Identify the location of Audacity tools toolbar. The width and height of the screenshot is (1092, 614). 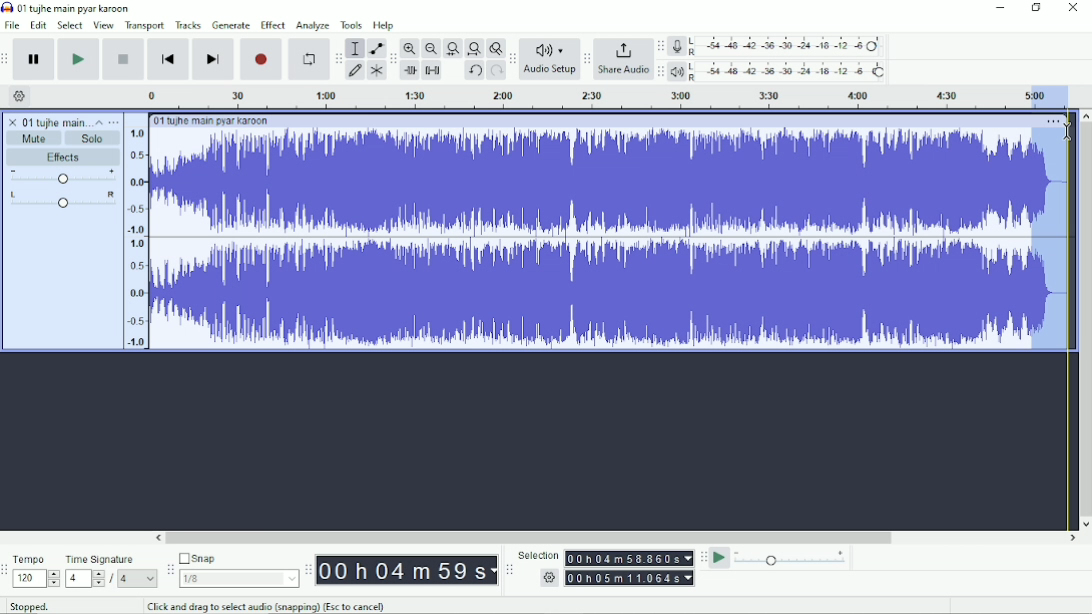
(338, 58).